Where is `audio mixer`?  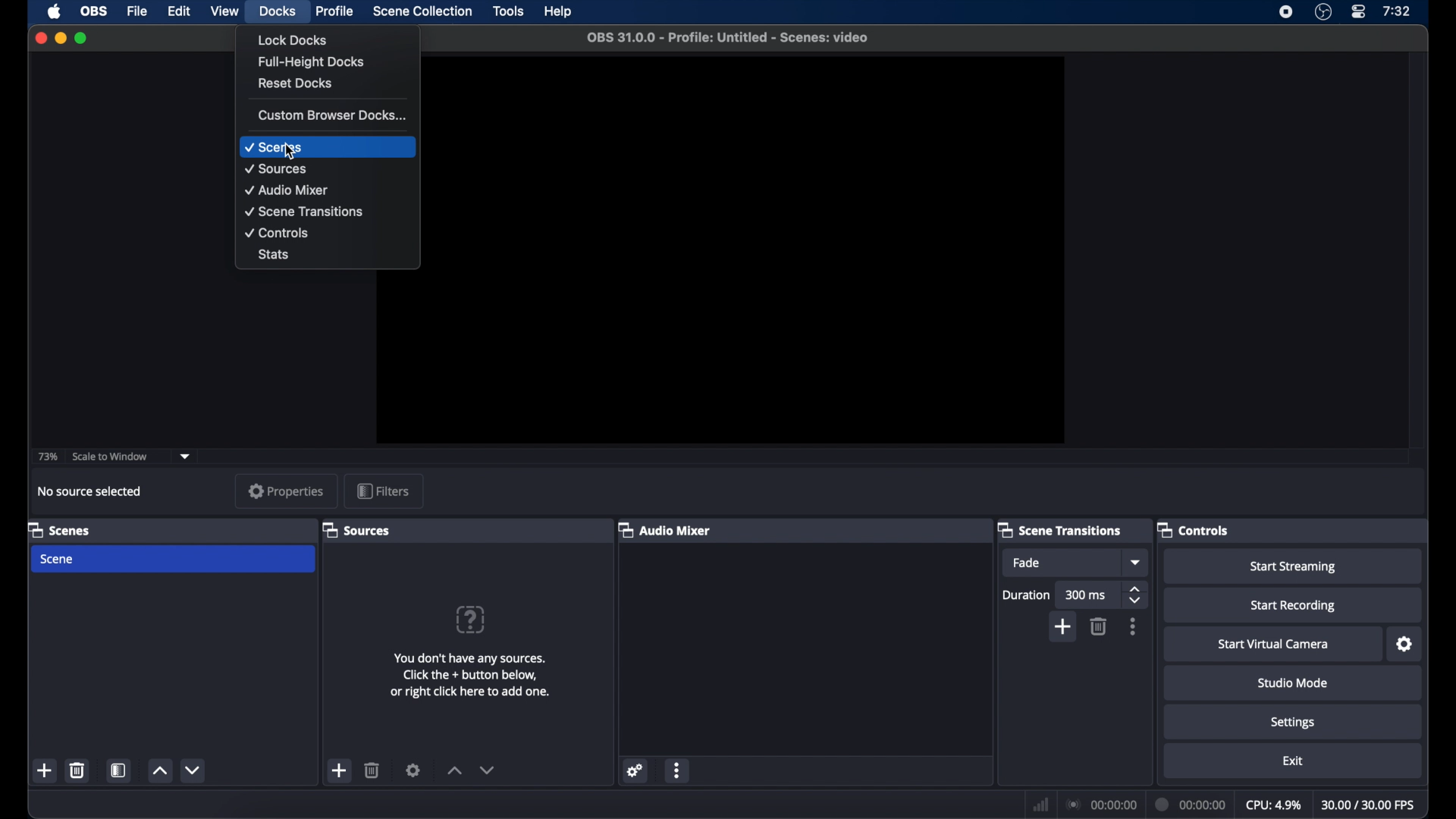 audio mixer is located at coordinates (664, 529).